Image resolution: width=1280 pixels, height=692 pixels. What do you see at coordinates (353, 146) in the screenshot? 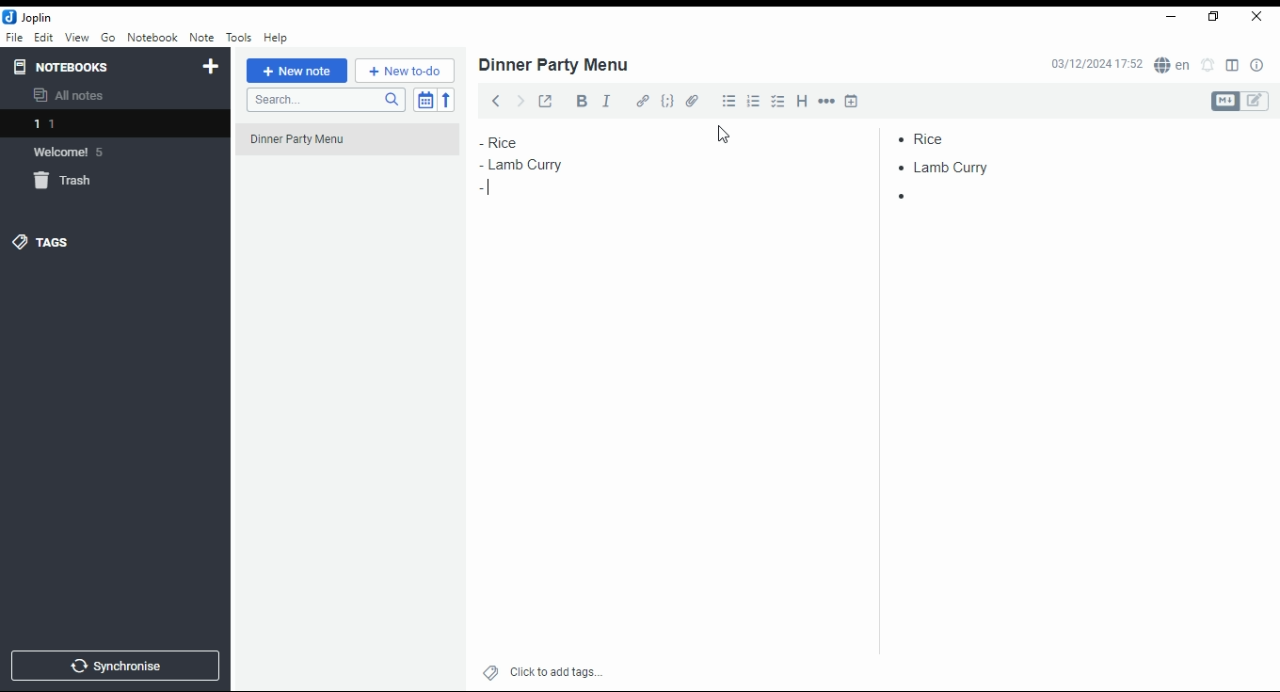
I see `dinner party menu` at bounding box center [353, 146].